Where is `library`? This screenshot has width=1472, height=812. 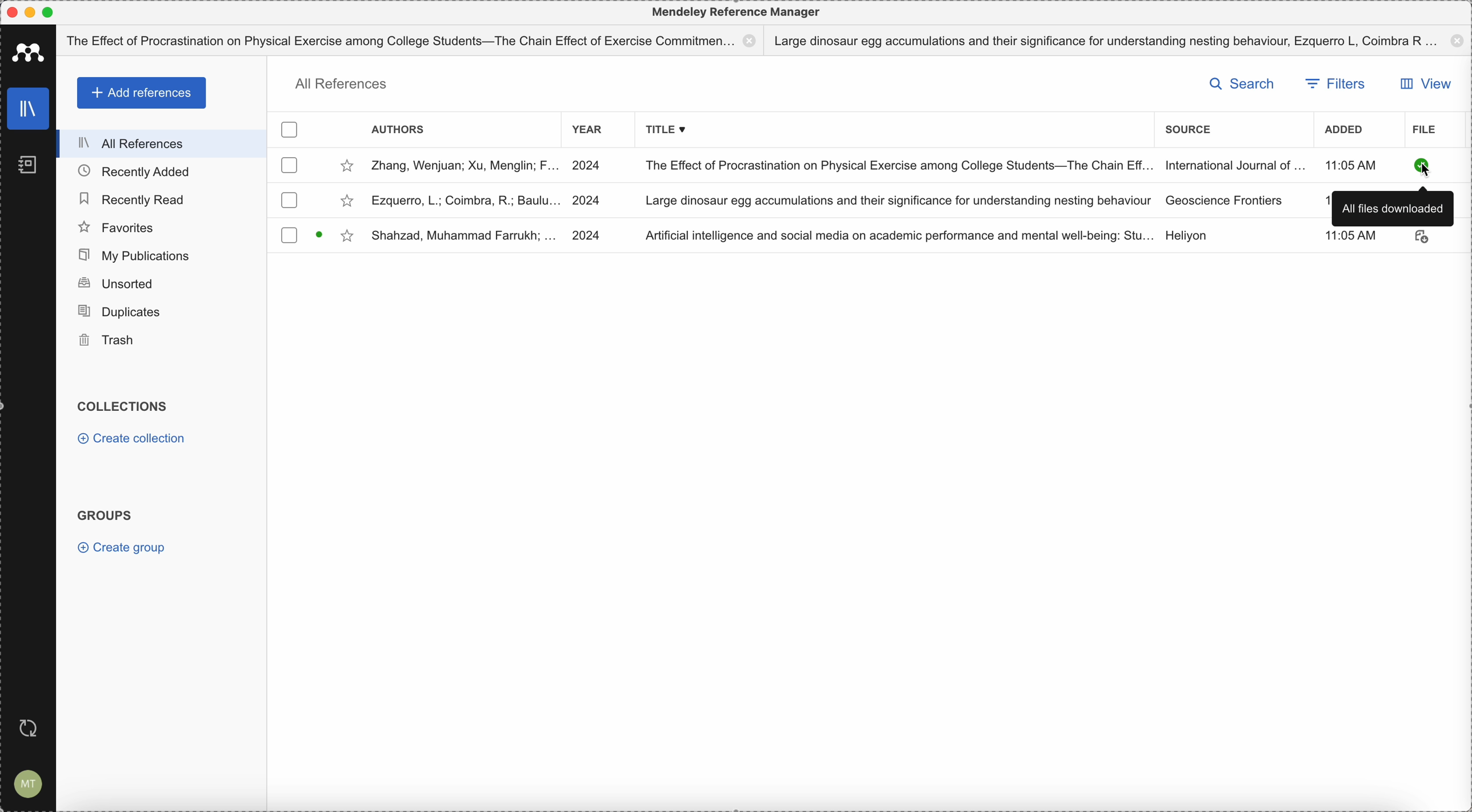
library is located at coordinates (30, 110).